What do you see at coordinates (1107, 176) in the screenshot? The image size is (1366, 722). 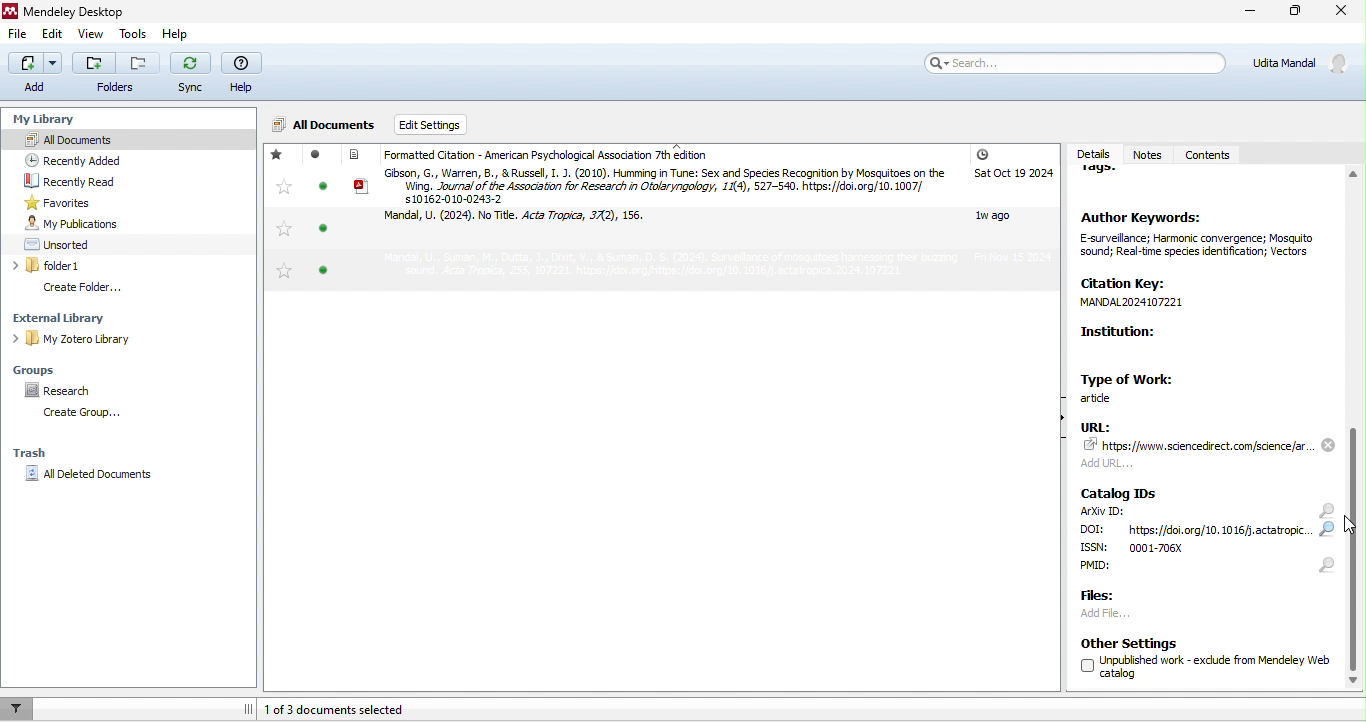 I see `tags` at bounding box center [1107, 176].